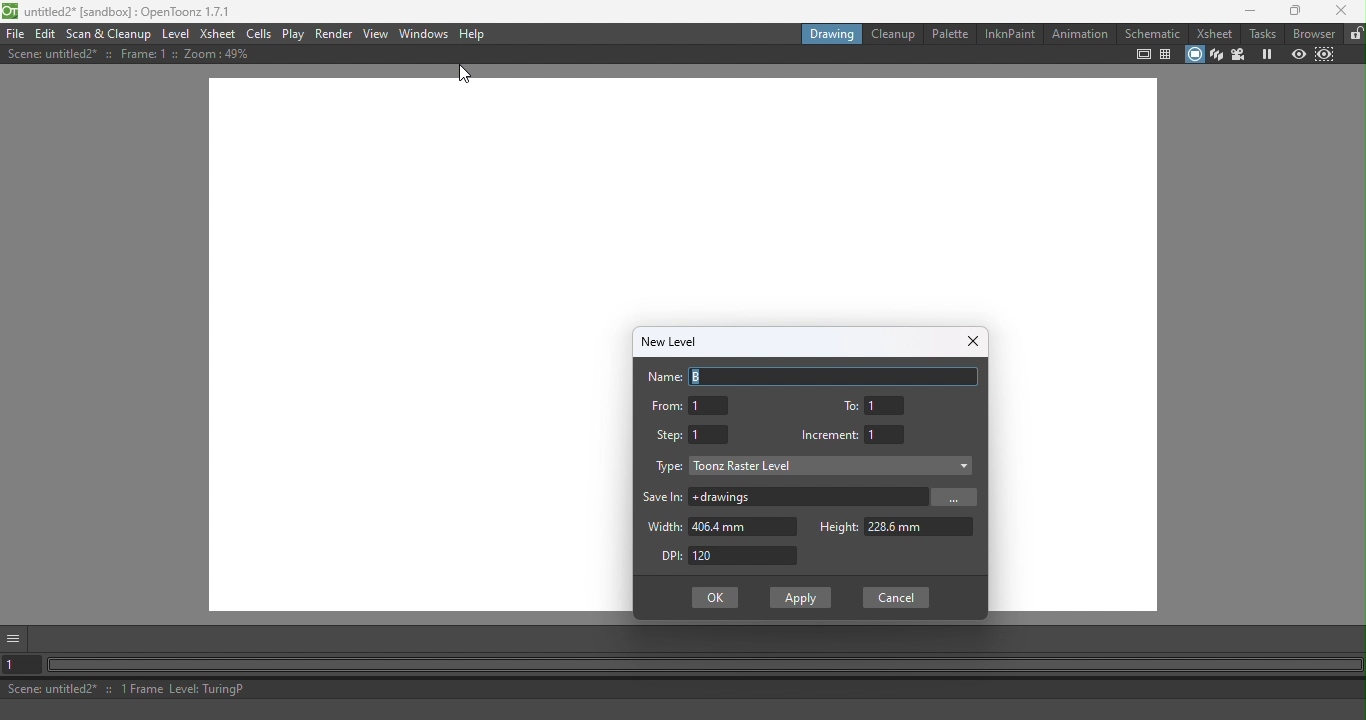 This screenshot has height=720, width=1366. What do you see at coordinates (1007, 36) in the screenshot?
I see `InknPaint` at bounding box center [1007, 36].